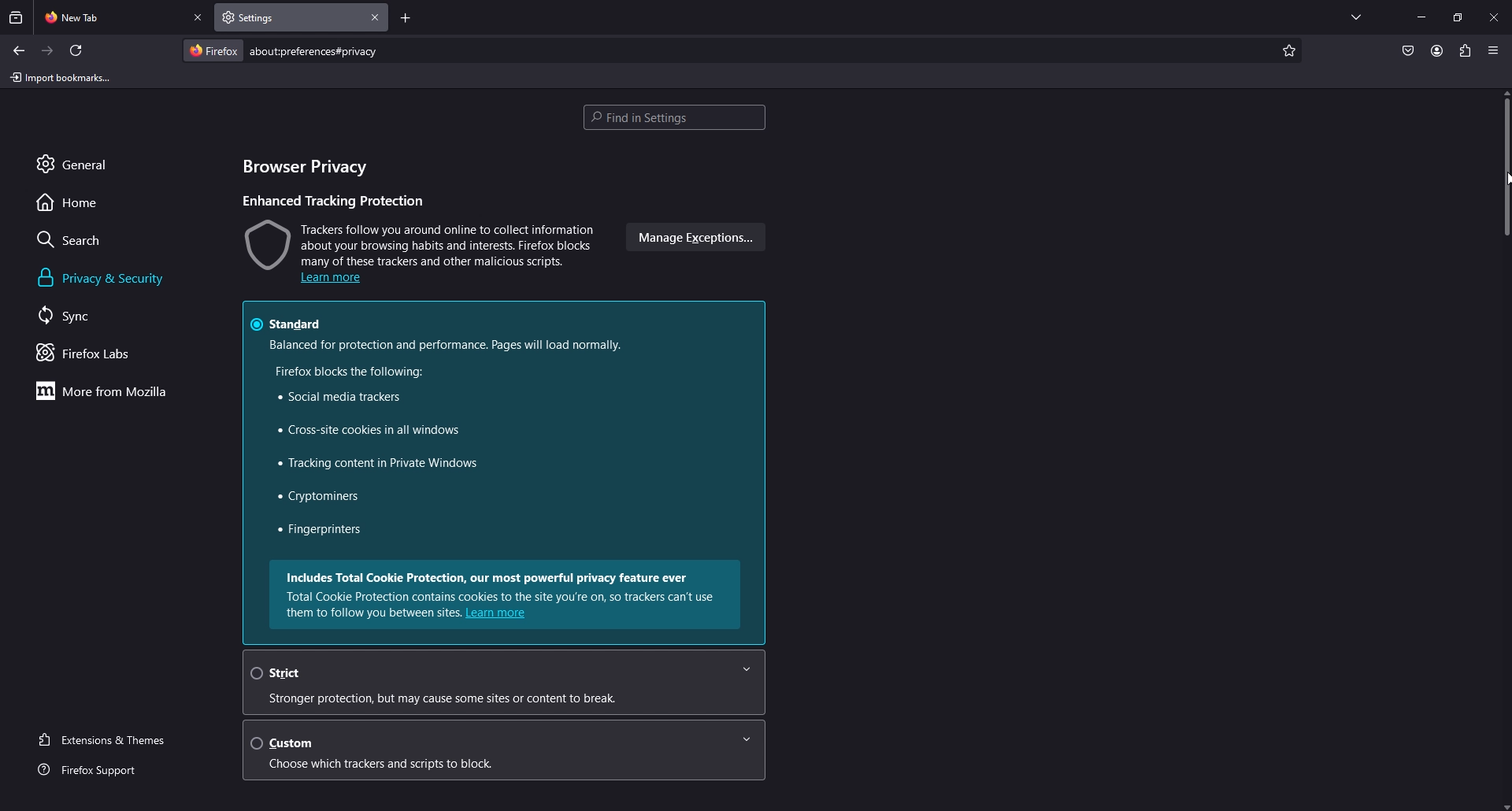 This screenshot has width=1512, height=811. I want to click on firefox logo, so click(213, 50).